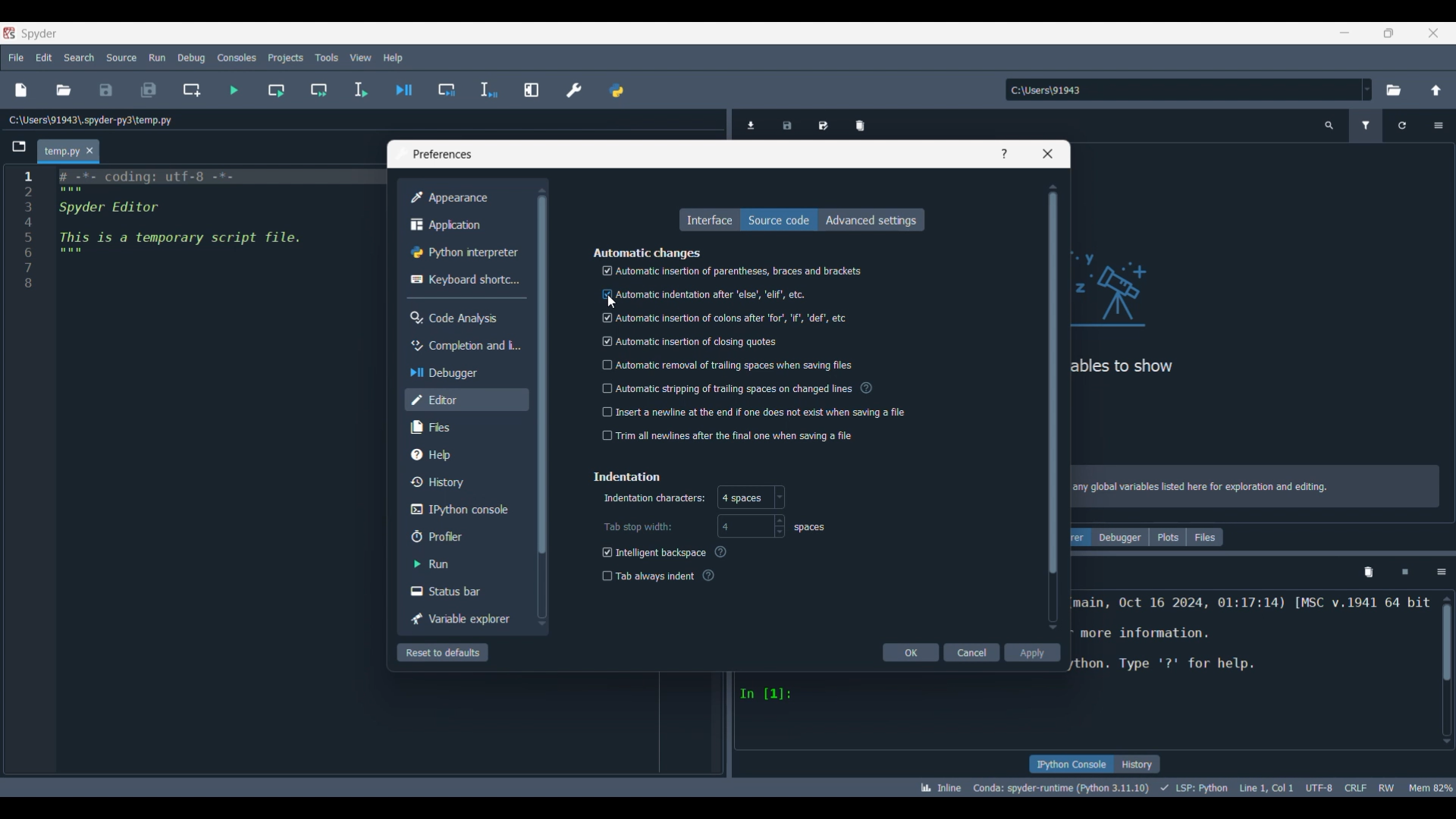 The width and height of the screenshot is (1456, 819). I want to click on Application, so click(466, 224).